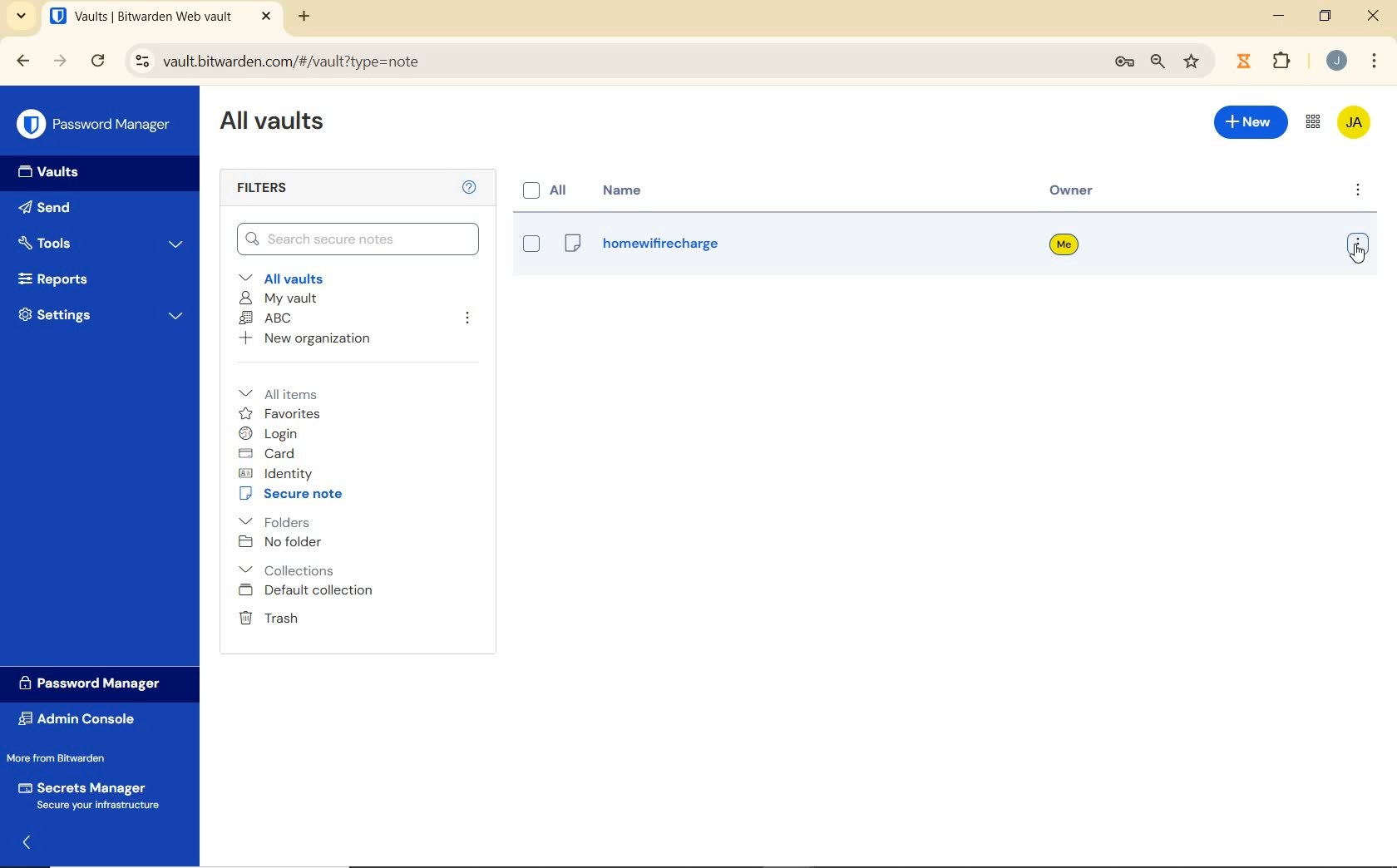 The height and width of the screenshot is (868, 1397). I want to click on Default collection, so click(308, 591).